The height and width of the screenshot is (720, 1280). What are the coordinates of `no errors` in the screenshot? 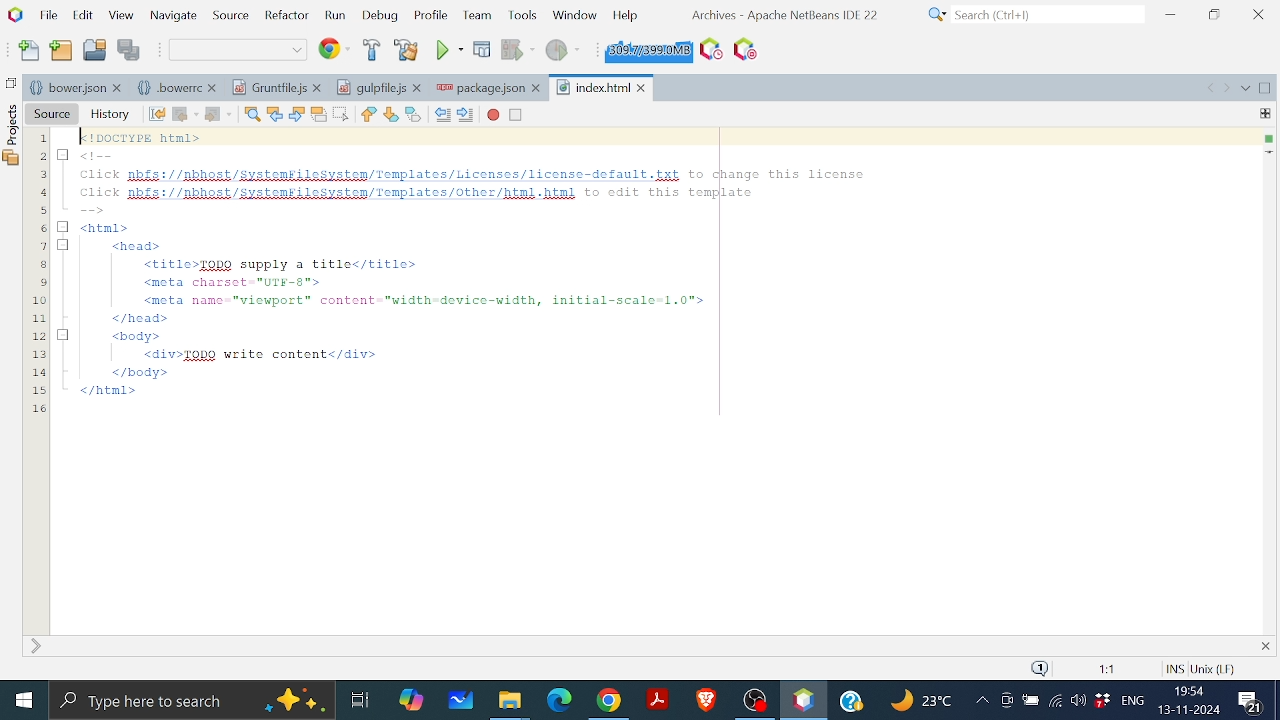 It's located at (1270, 138).